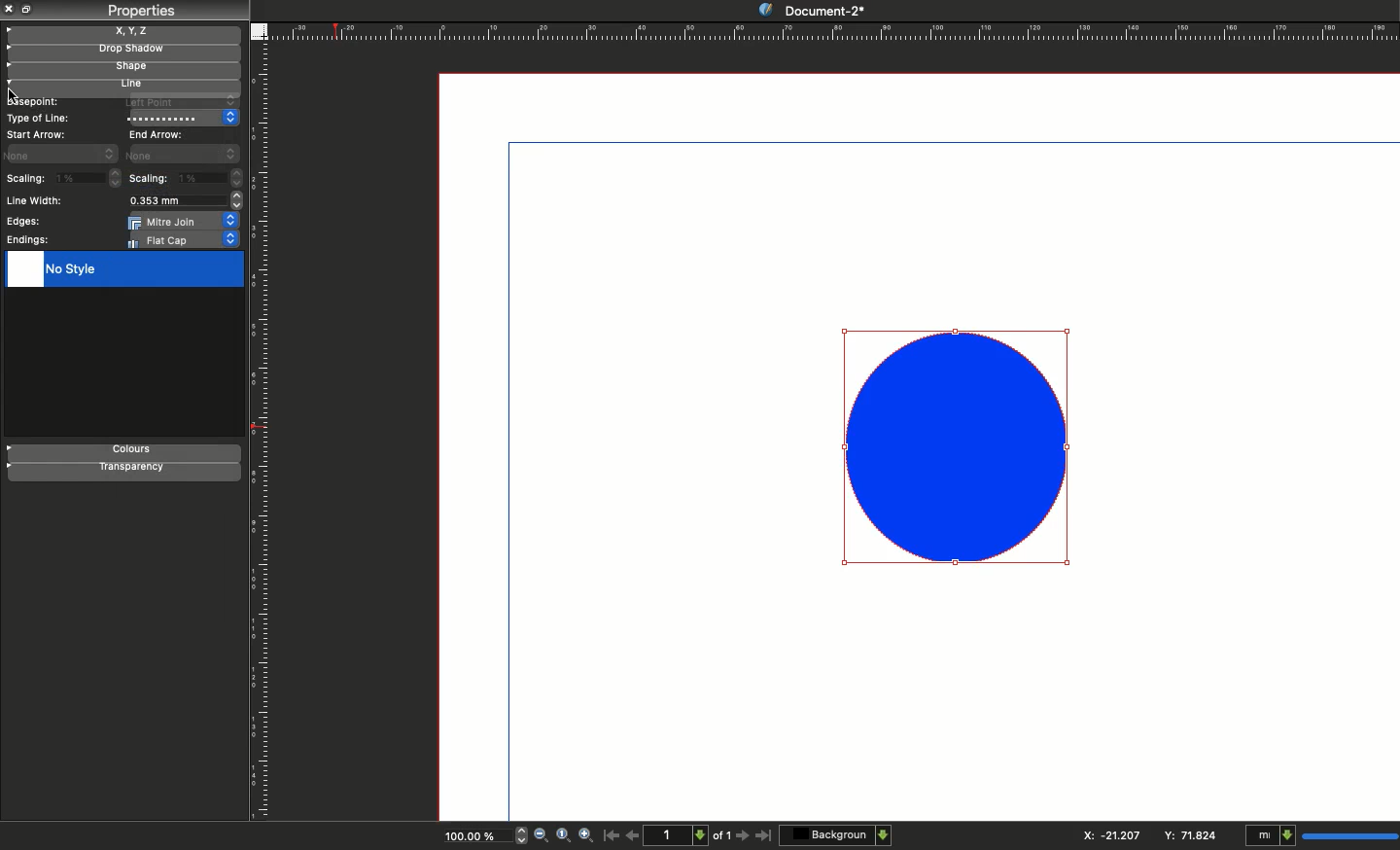  What do you see at coordinates (122, 69) in the screenshot?
I see `Shape` at bounding box center [122, 69].